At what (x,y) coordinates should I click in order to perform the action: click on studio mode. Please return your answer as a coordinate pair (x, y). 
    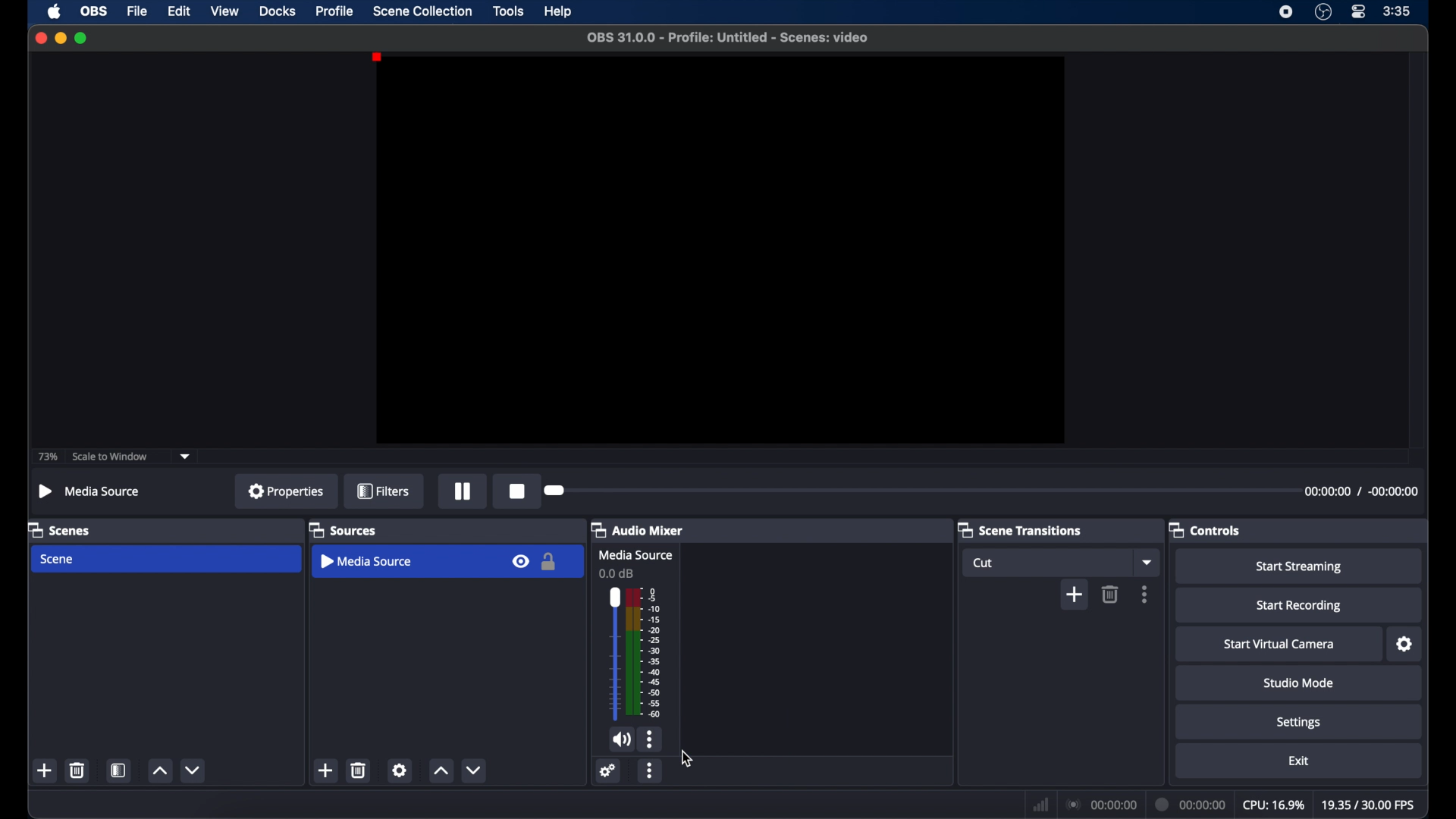
    Looking at the image, I should click on (1300, 682).